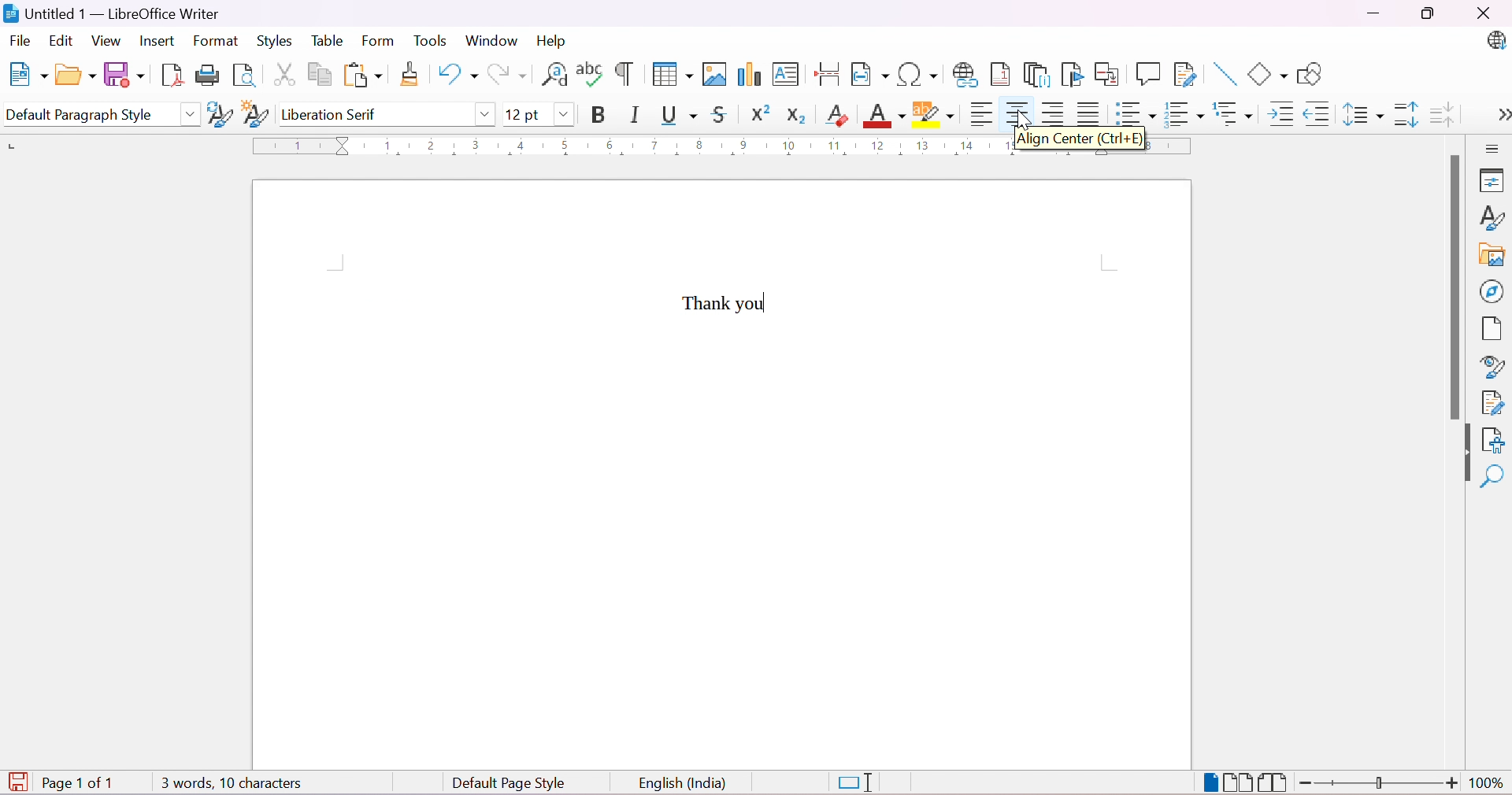  Describe the element at coordinates (551, 40) in the screenshot. I see `Help` at that location.